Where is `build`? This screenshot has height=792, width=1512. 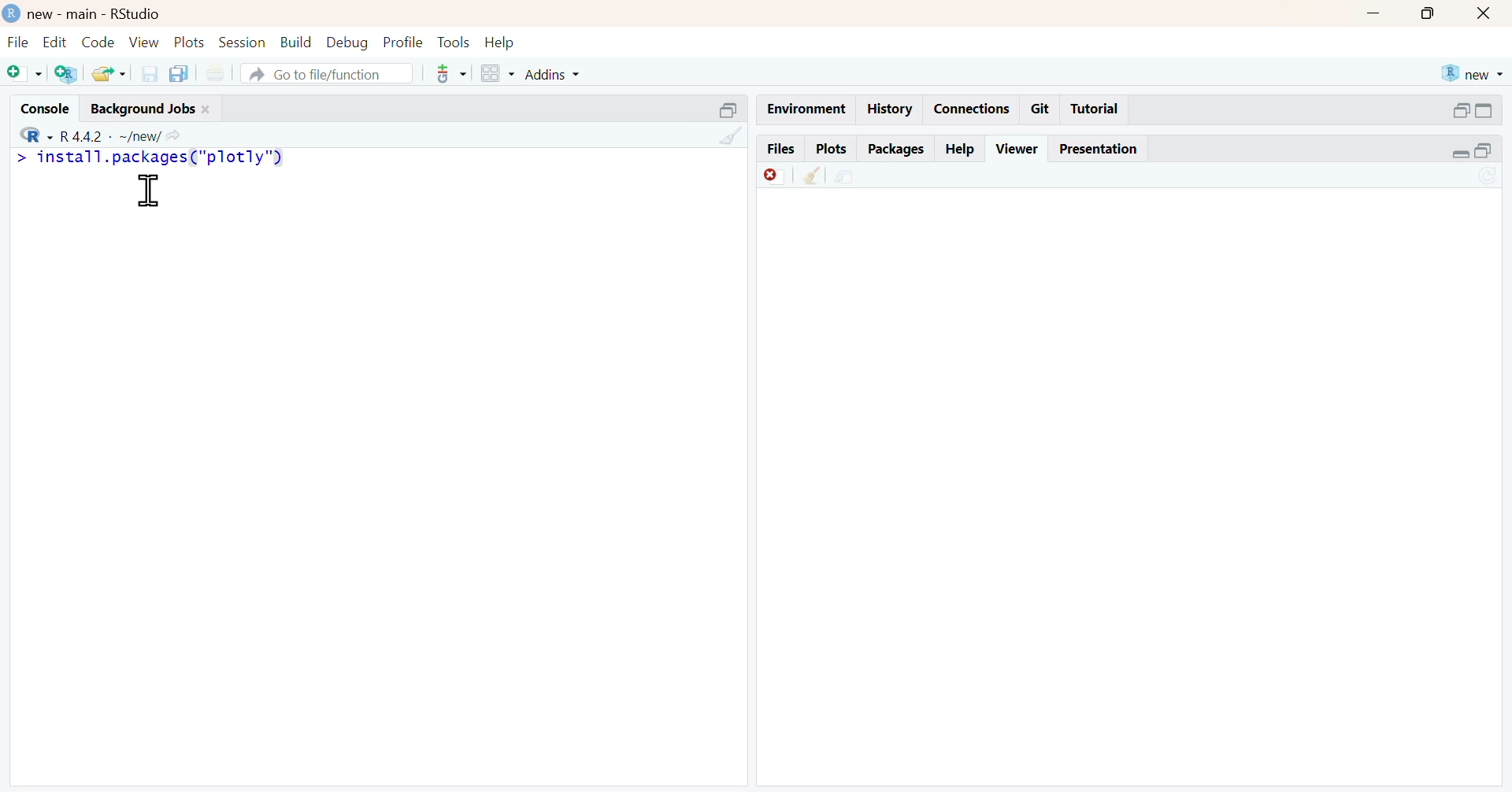 build is located at coordinates (297, 42).